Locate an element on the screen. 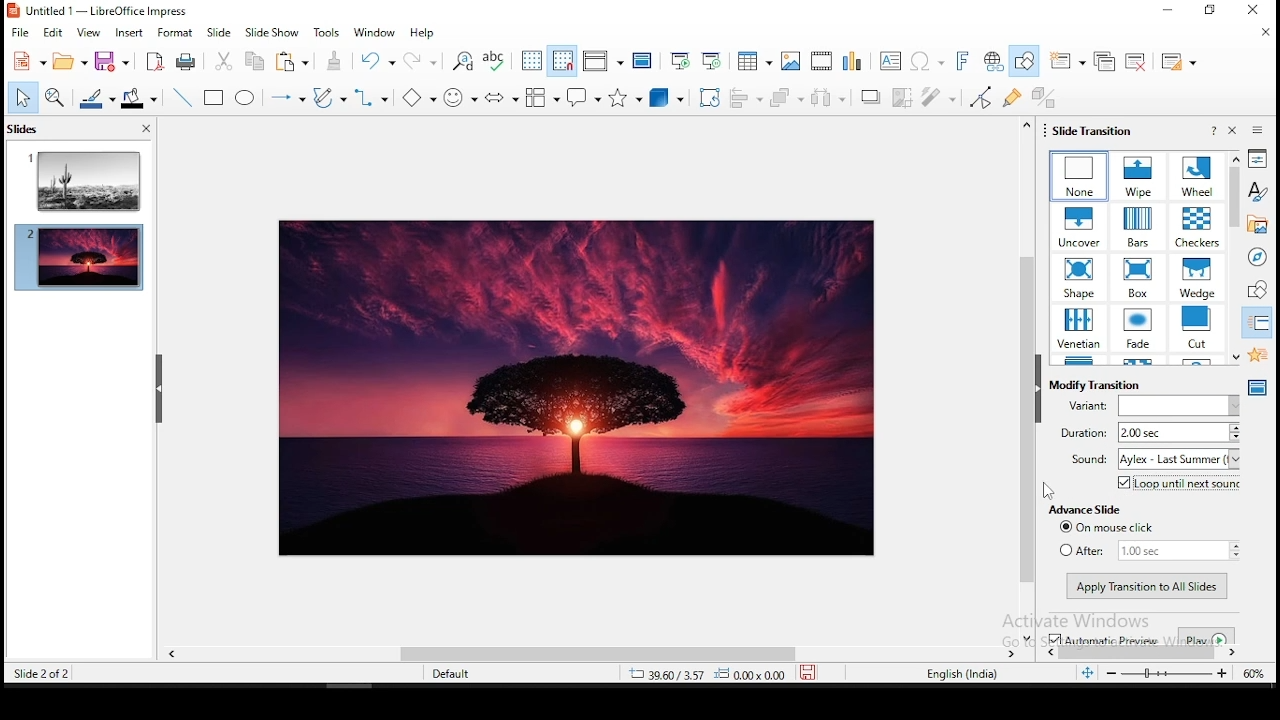 This screenshot has height=720, width=1280. edit is located at coordinates (55, 33).